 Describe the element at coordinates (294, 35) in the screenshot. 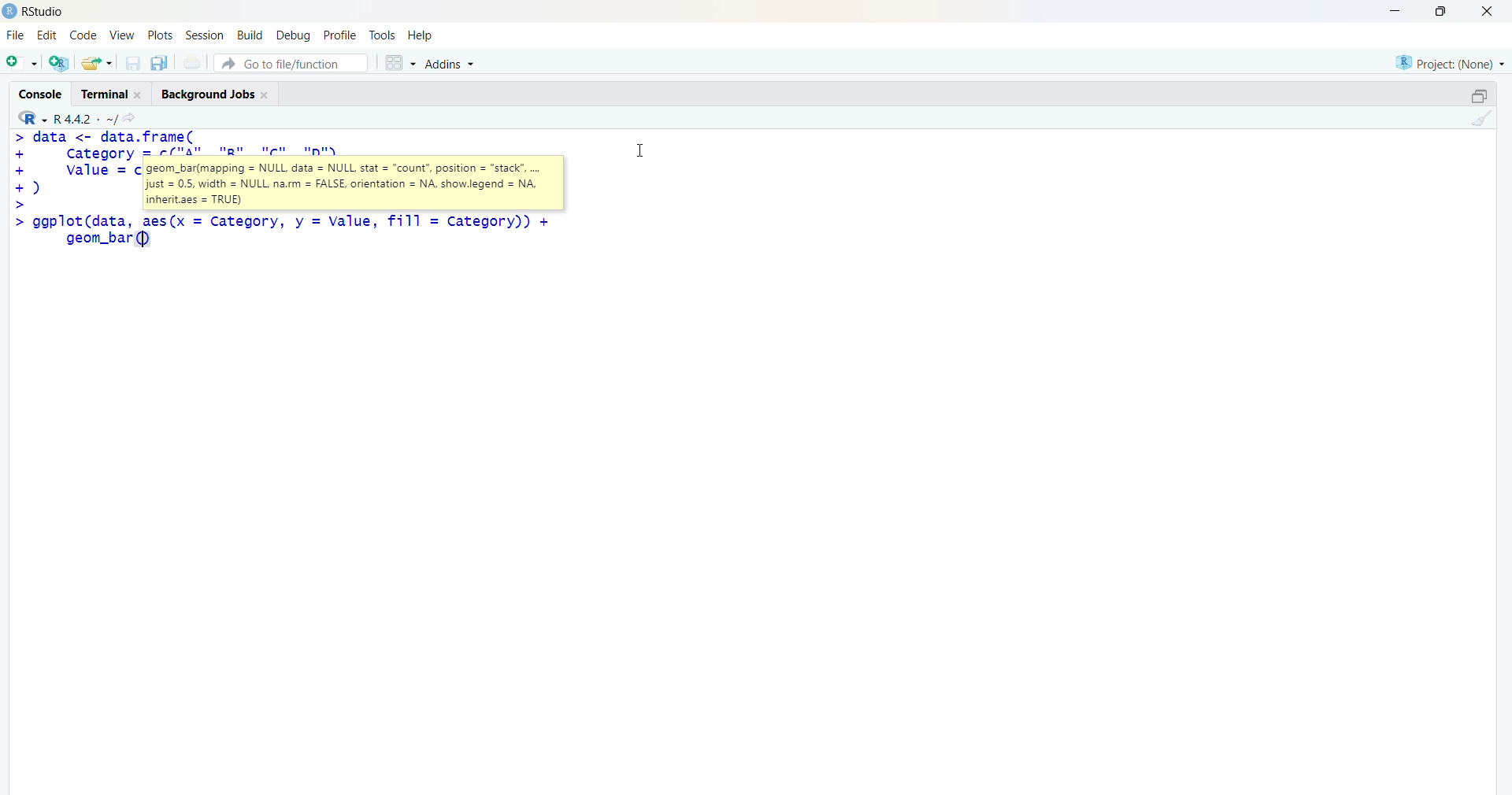

I see `debug` at that location.